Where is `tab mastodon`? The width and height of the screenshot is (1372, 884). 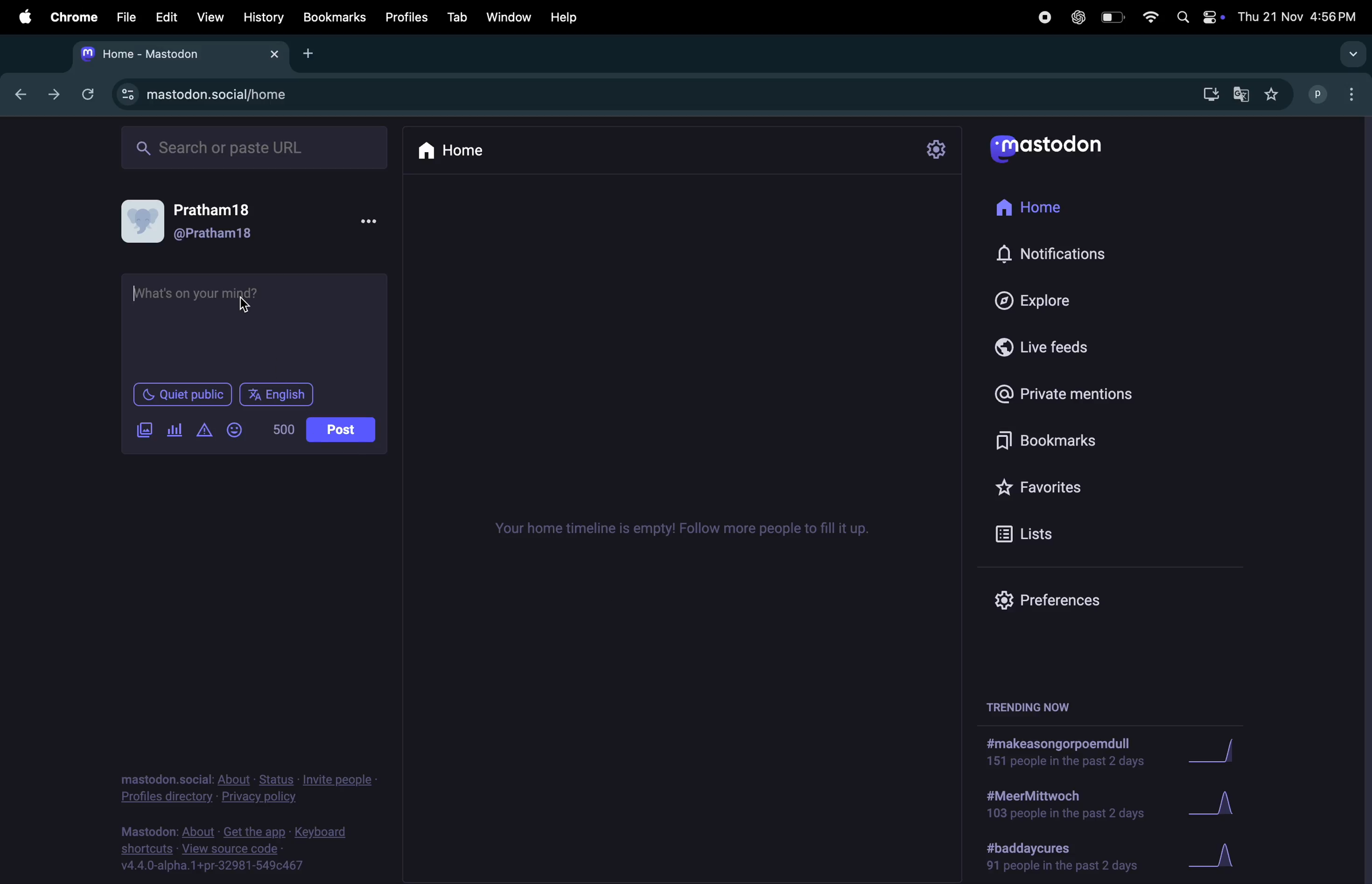
tab mastodon is located at coordinates (180, 55).